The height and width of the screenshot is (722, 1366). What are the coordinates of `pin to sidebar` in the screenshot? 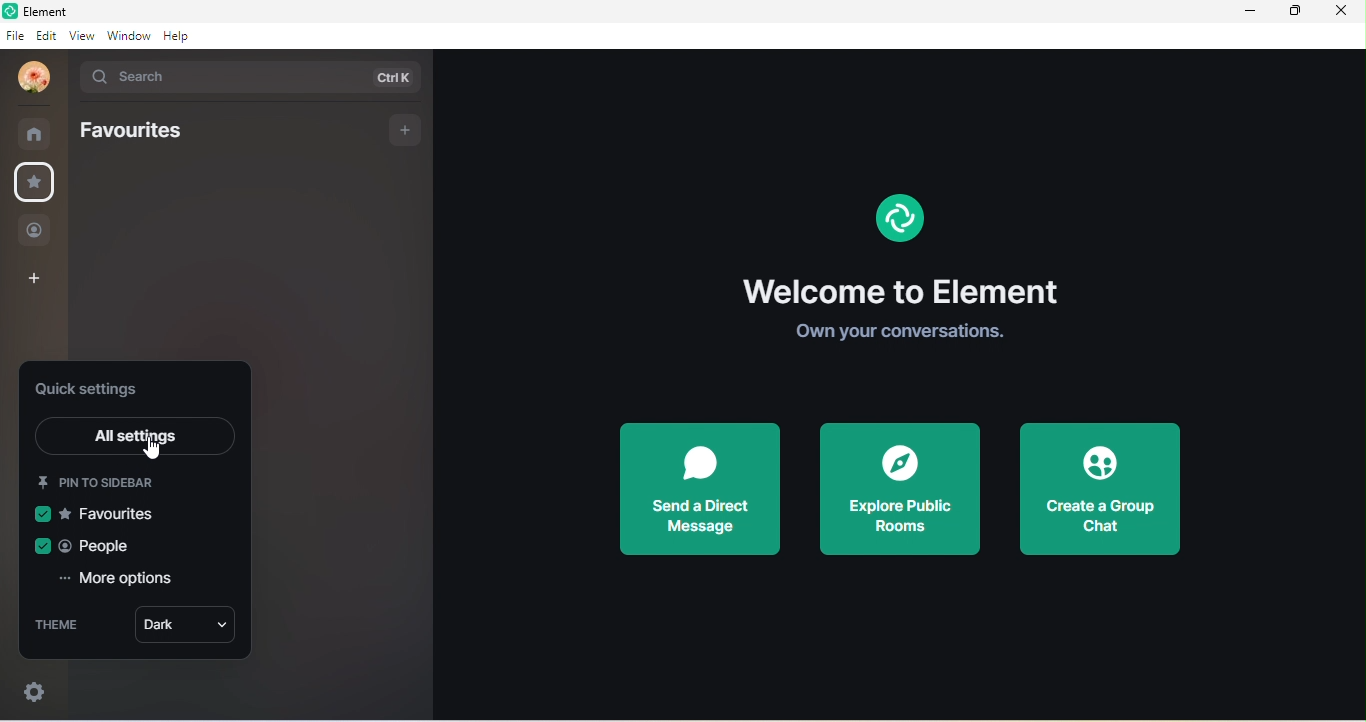 It's located at (102, 484).